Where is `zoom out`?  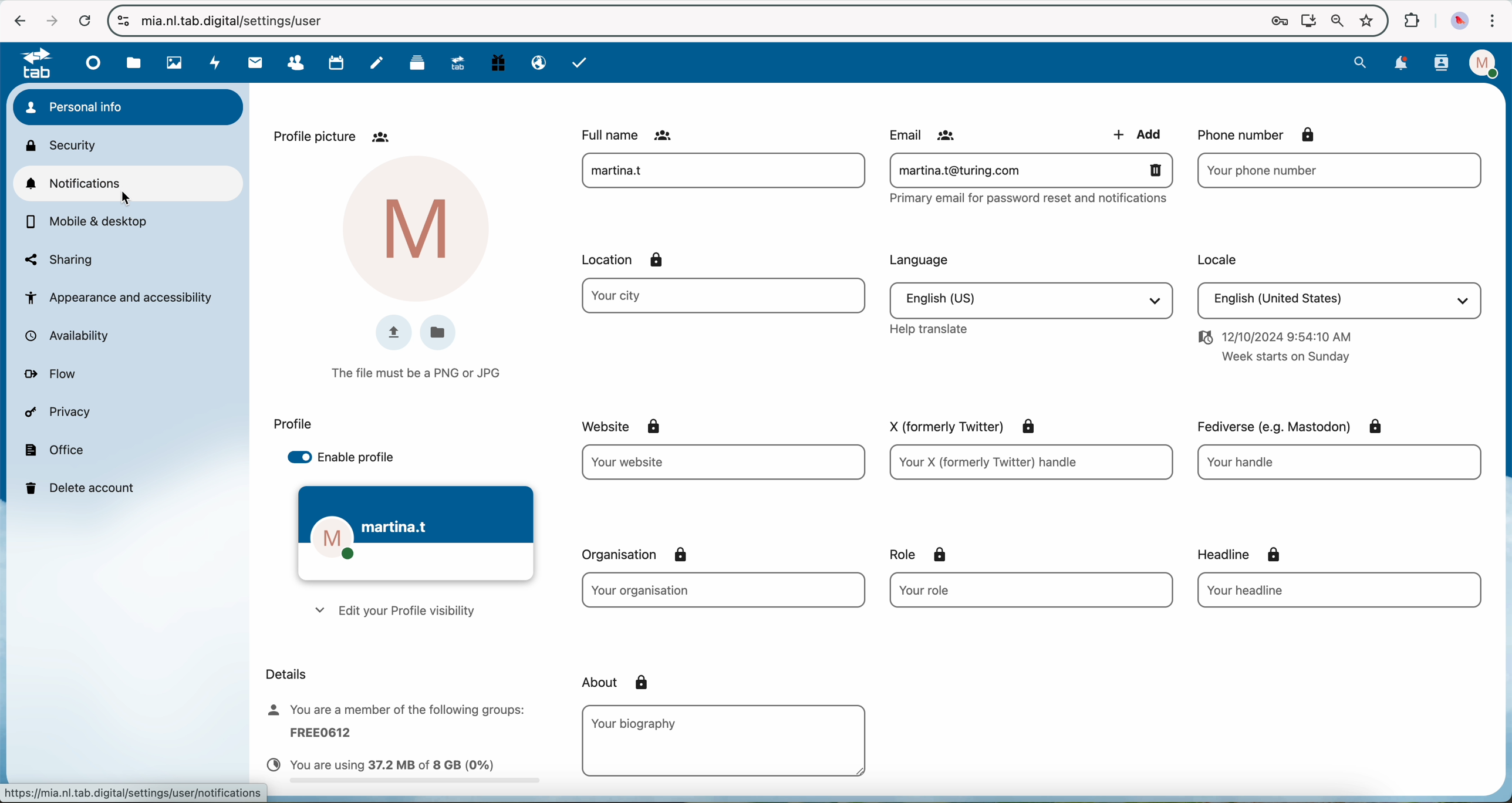
zoom out is located at coordinates (1334, 21).